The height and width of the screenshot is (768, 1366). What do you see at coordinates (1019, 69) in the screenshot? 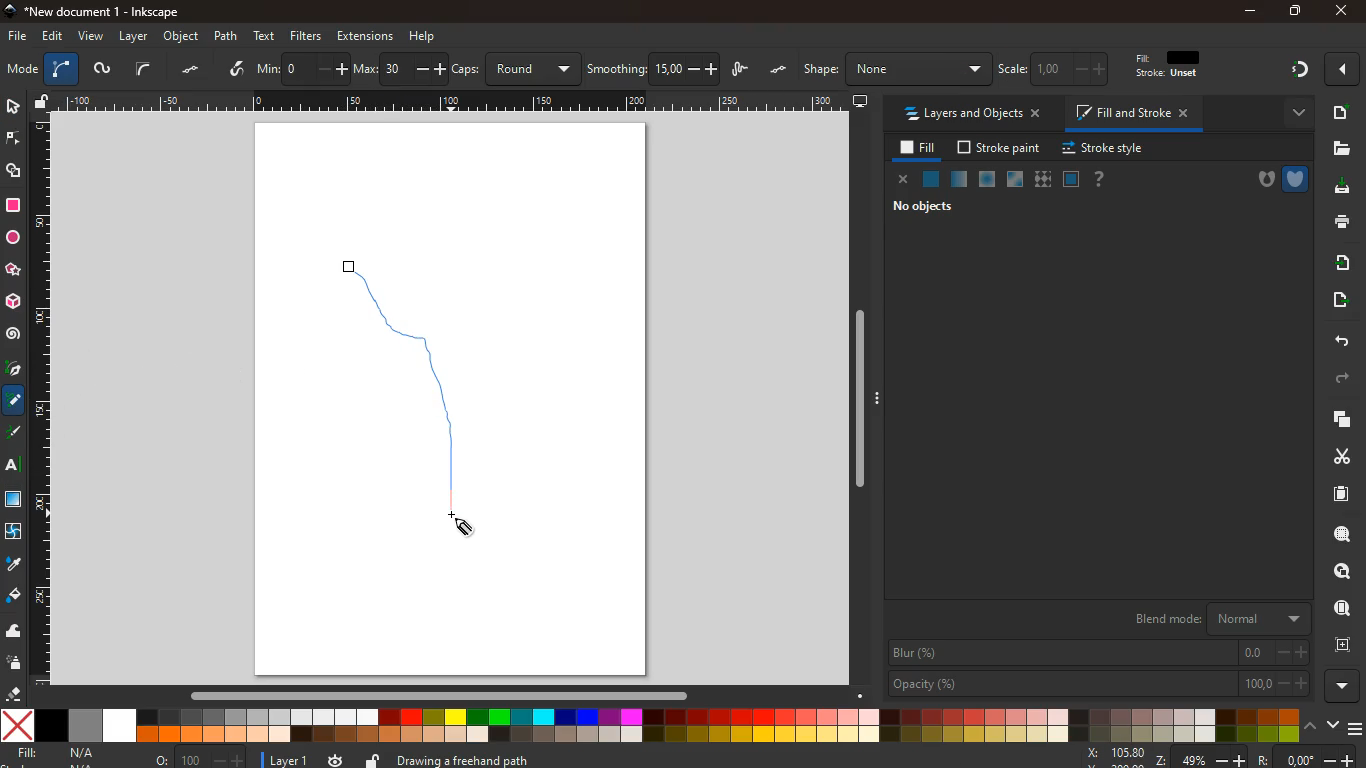
I see `edit` at bounding box center [1019, 69].